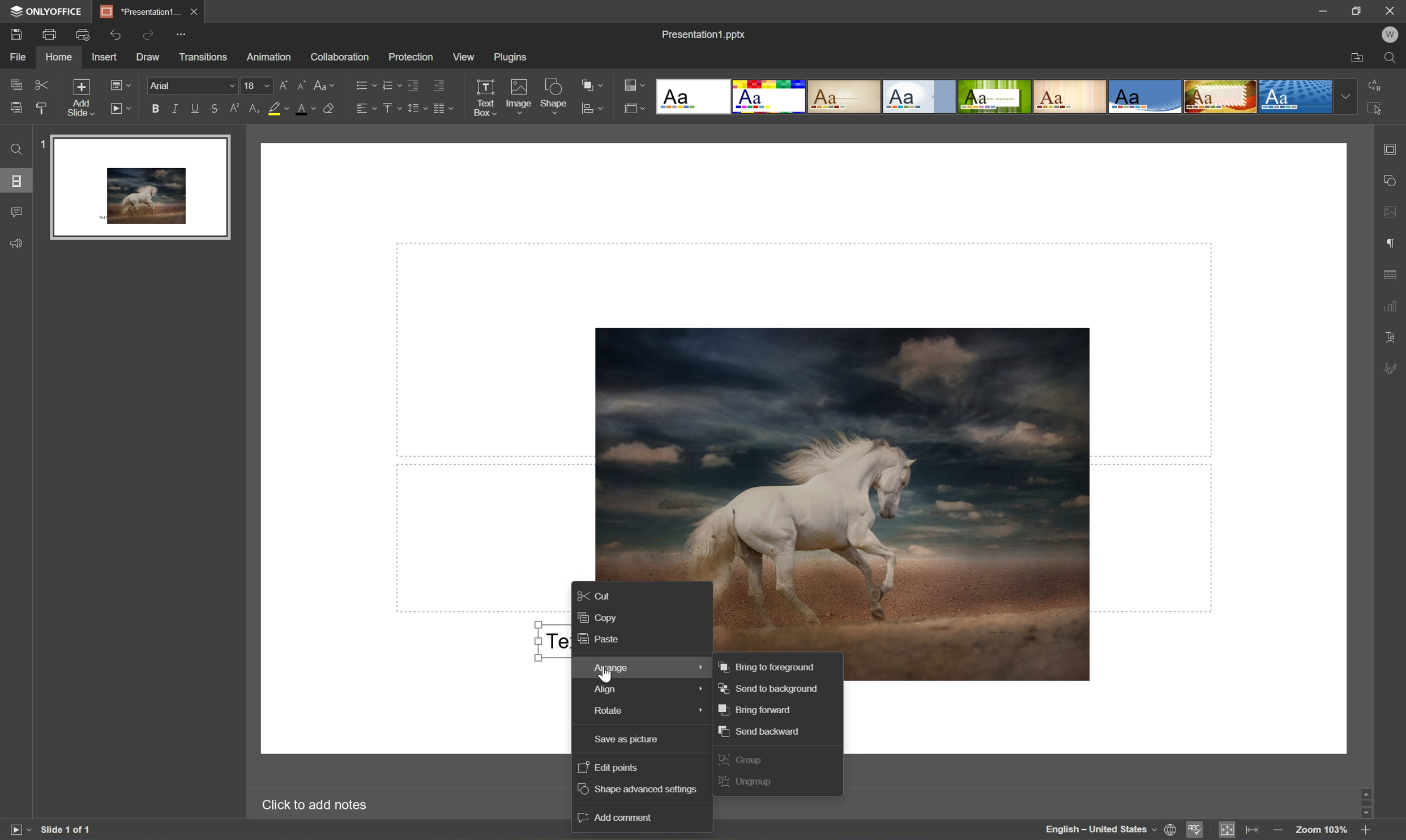  I want to click on Vertical align, so click(391, 108).